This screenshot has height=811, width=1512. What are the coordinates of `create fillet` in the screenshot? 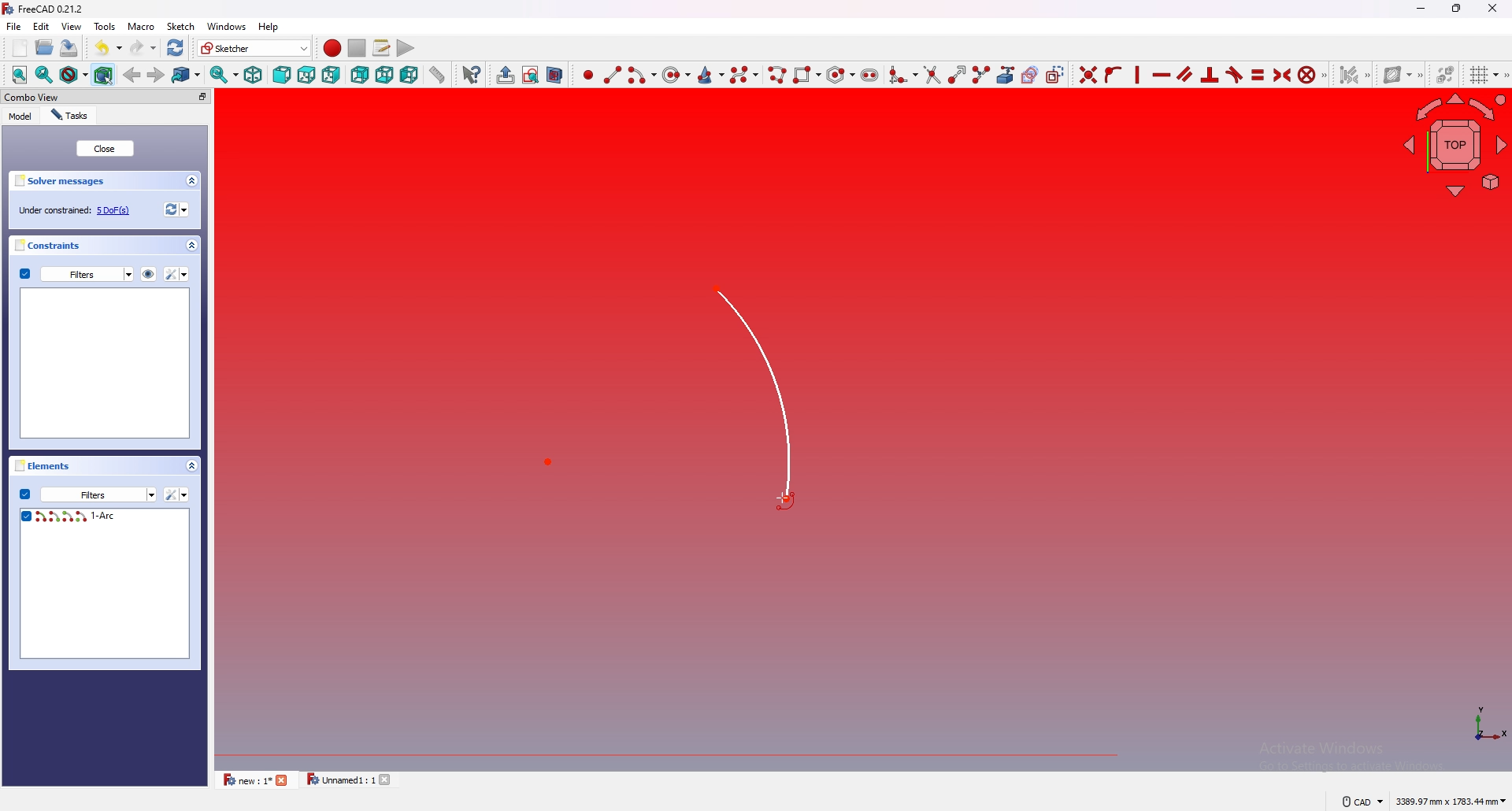 It's located at (902, 74).